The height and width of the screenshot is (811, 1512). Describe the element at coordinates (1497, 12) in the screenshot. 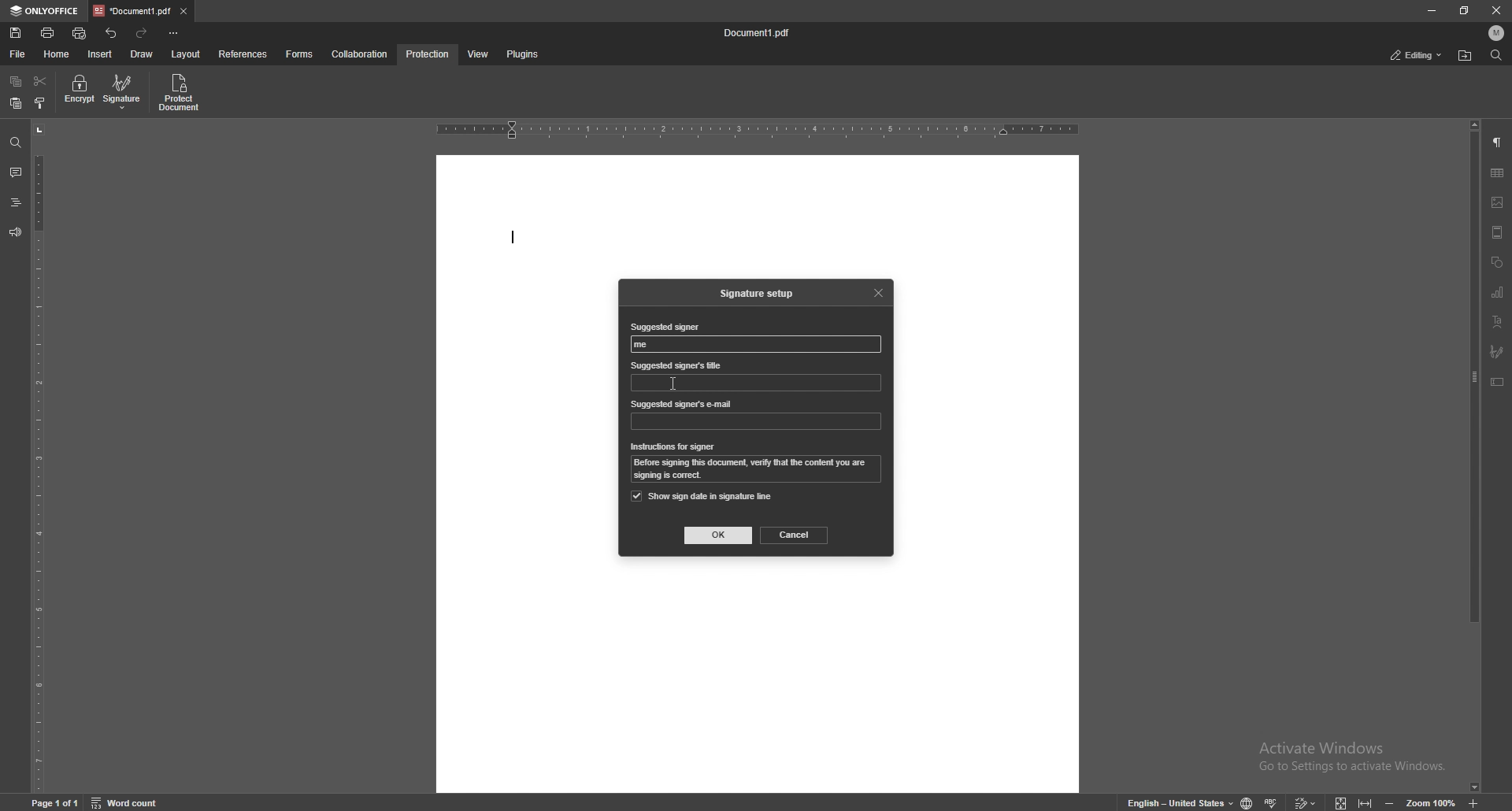

I see `close` at that location.